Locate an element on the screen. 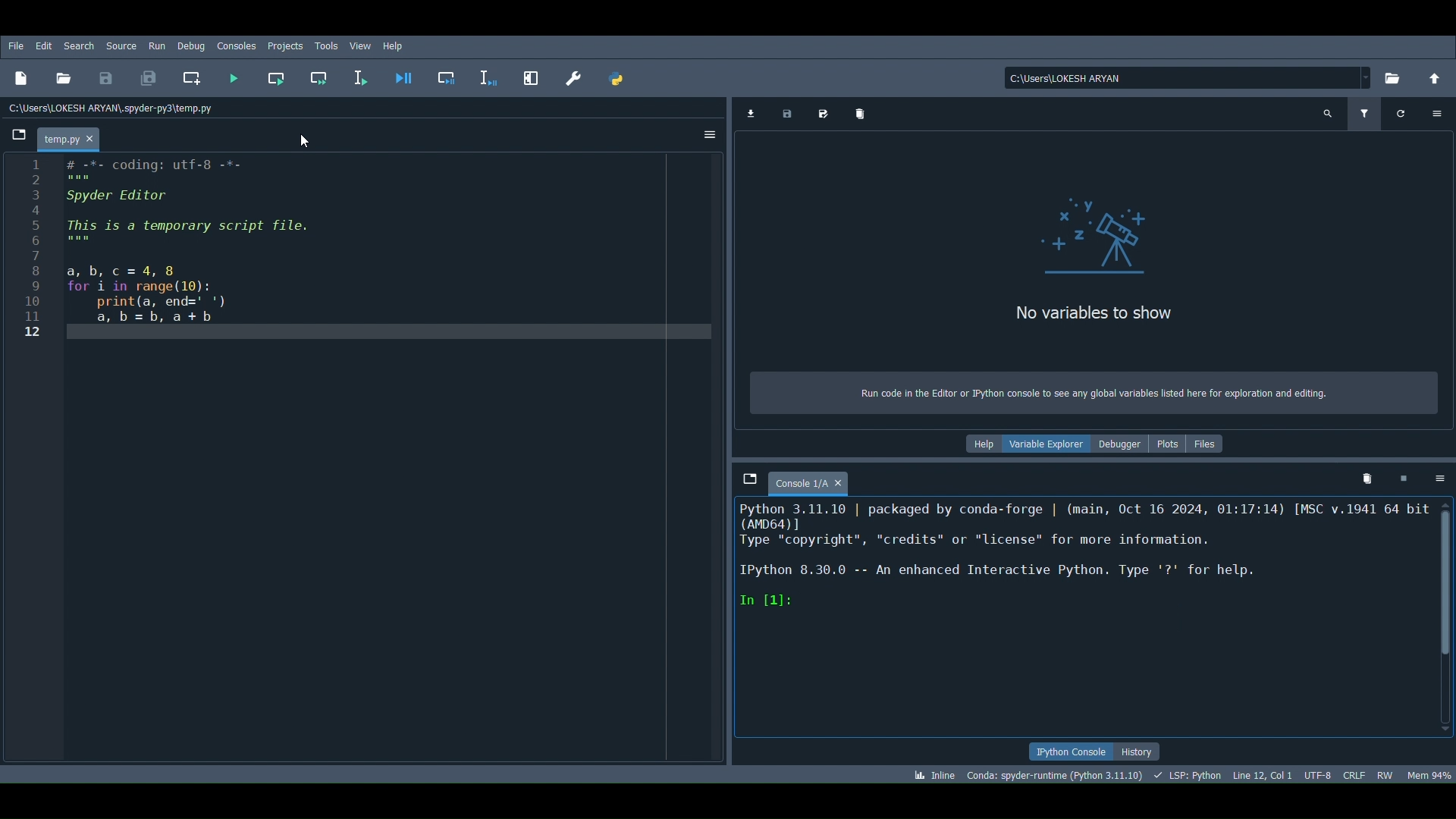 This screenshot has width=1456, height=819. Debugger is located at coordinates (1121, 444).